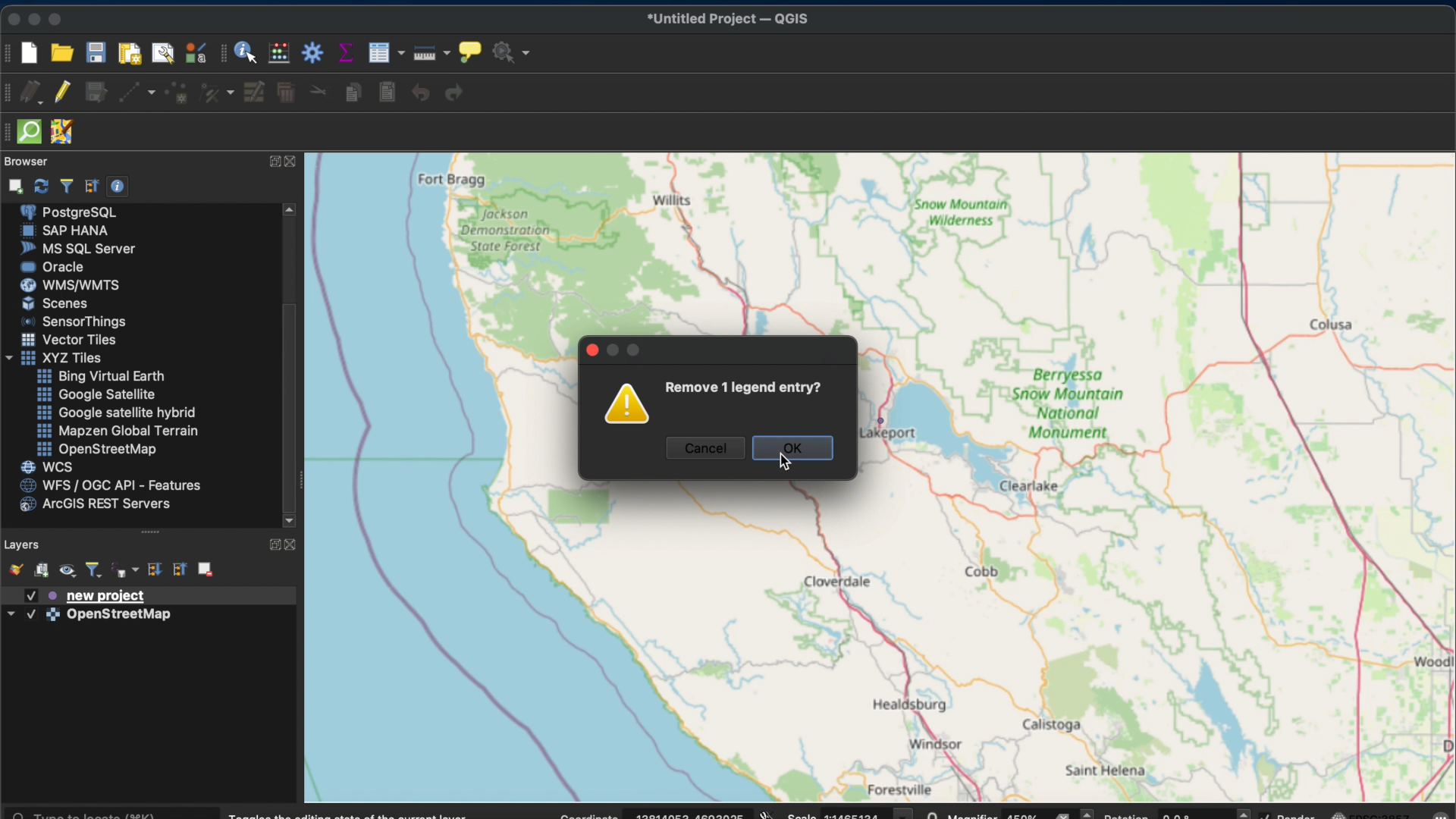  Describe the element at coordinates (36, 19) in the screenshot. I see `minimize` at that location.